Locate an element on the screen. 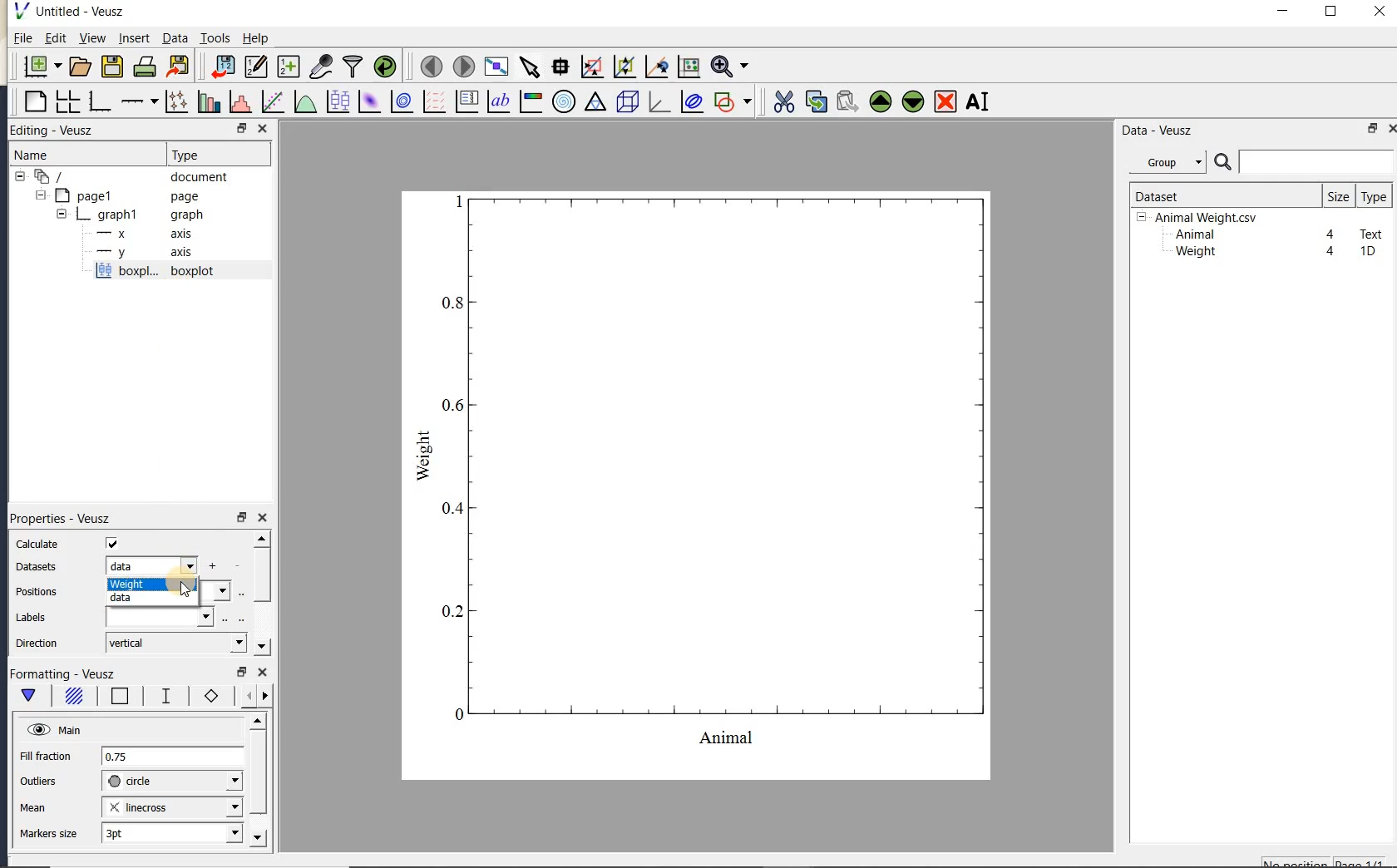 The height and width of the screenshot is (868, 1397). 4 is located at coordinates (1331, 235).